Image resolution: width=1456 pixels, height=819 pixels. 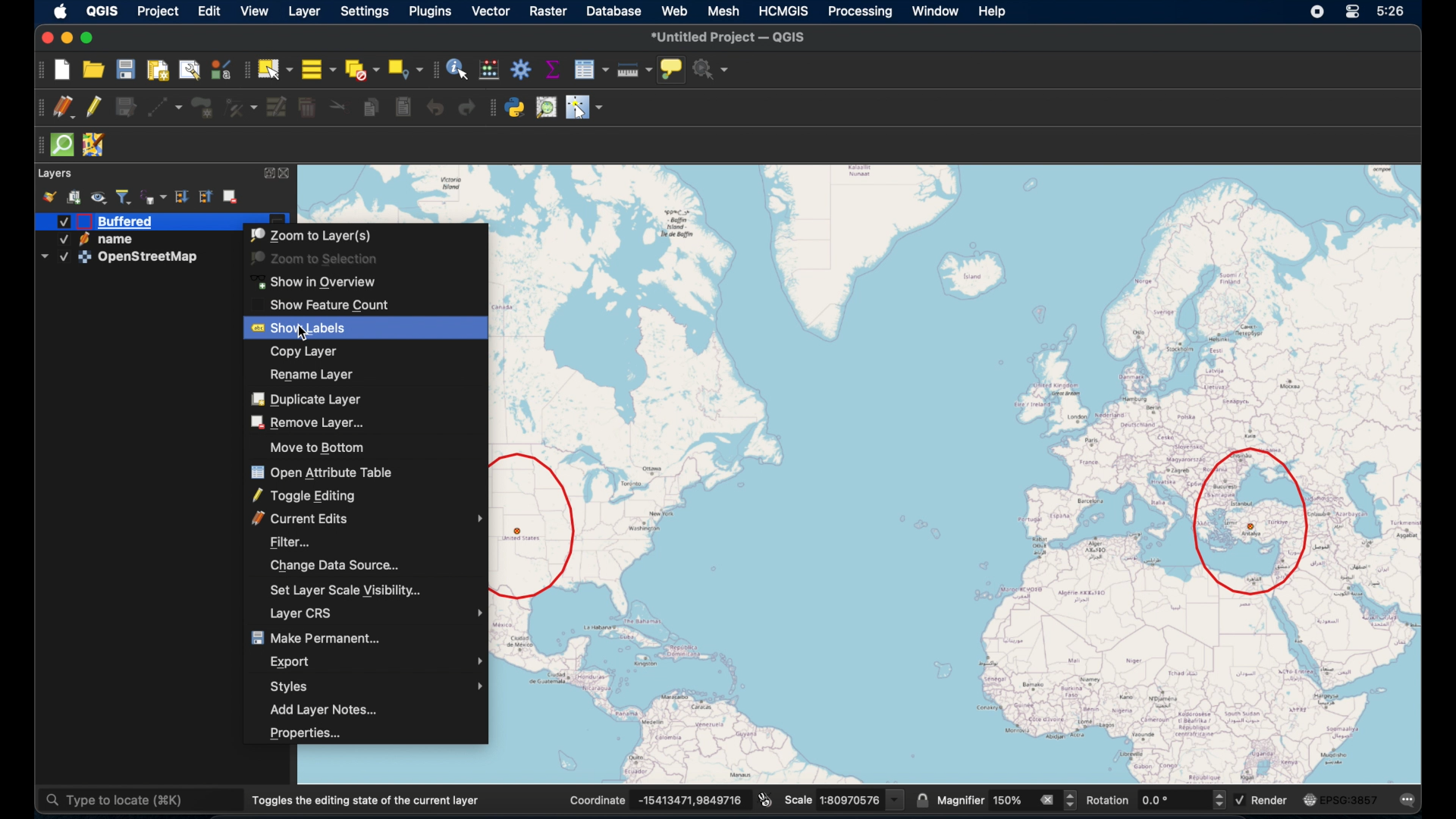 I want to click on toggles the editing state of the current layer, so click(x=367, y=801).